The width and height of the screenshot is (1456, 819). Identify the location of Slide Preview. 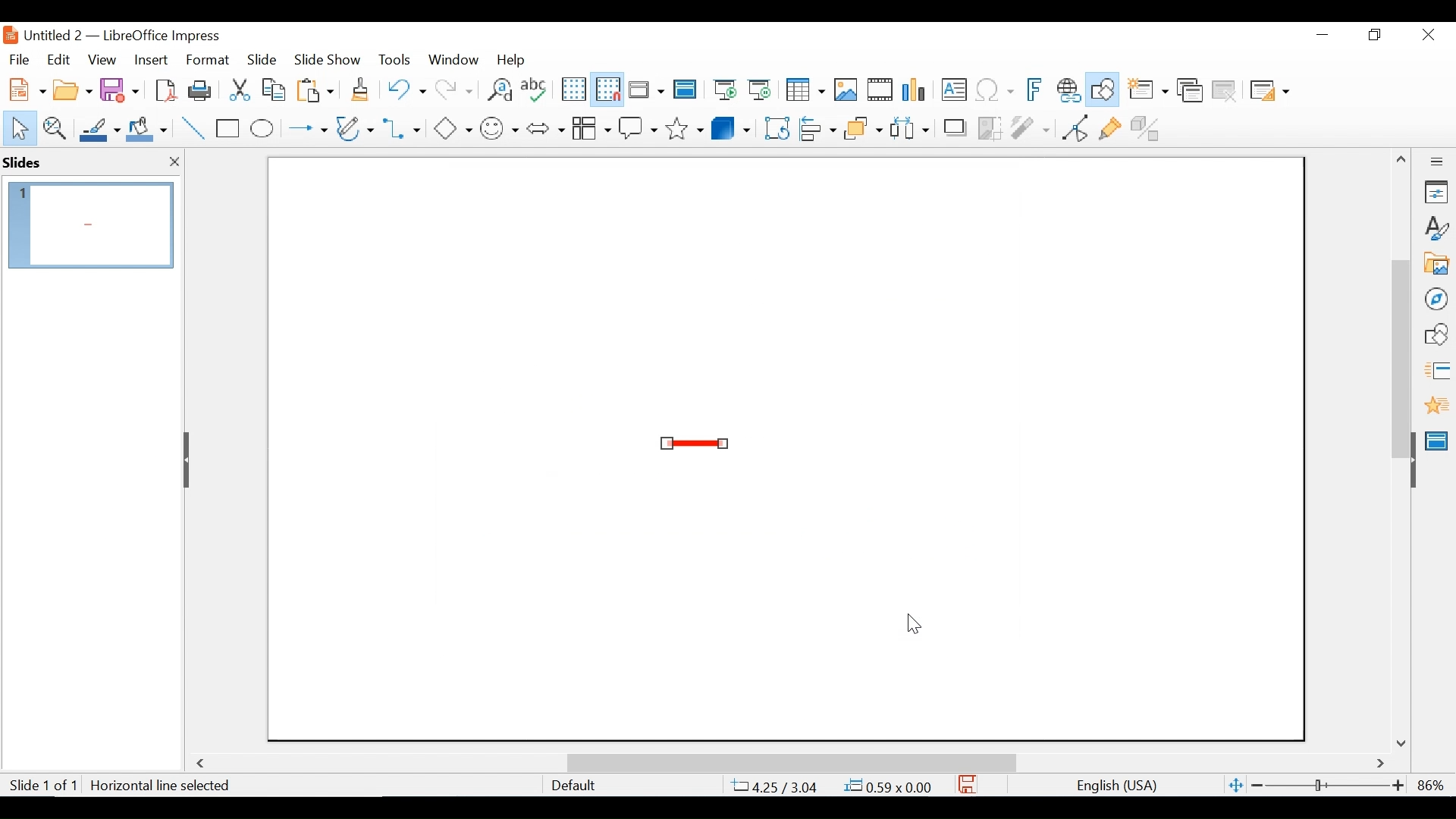
(89, 225).